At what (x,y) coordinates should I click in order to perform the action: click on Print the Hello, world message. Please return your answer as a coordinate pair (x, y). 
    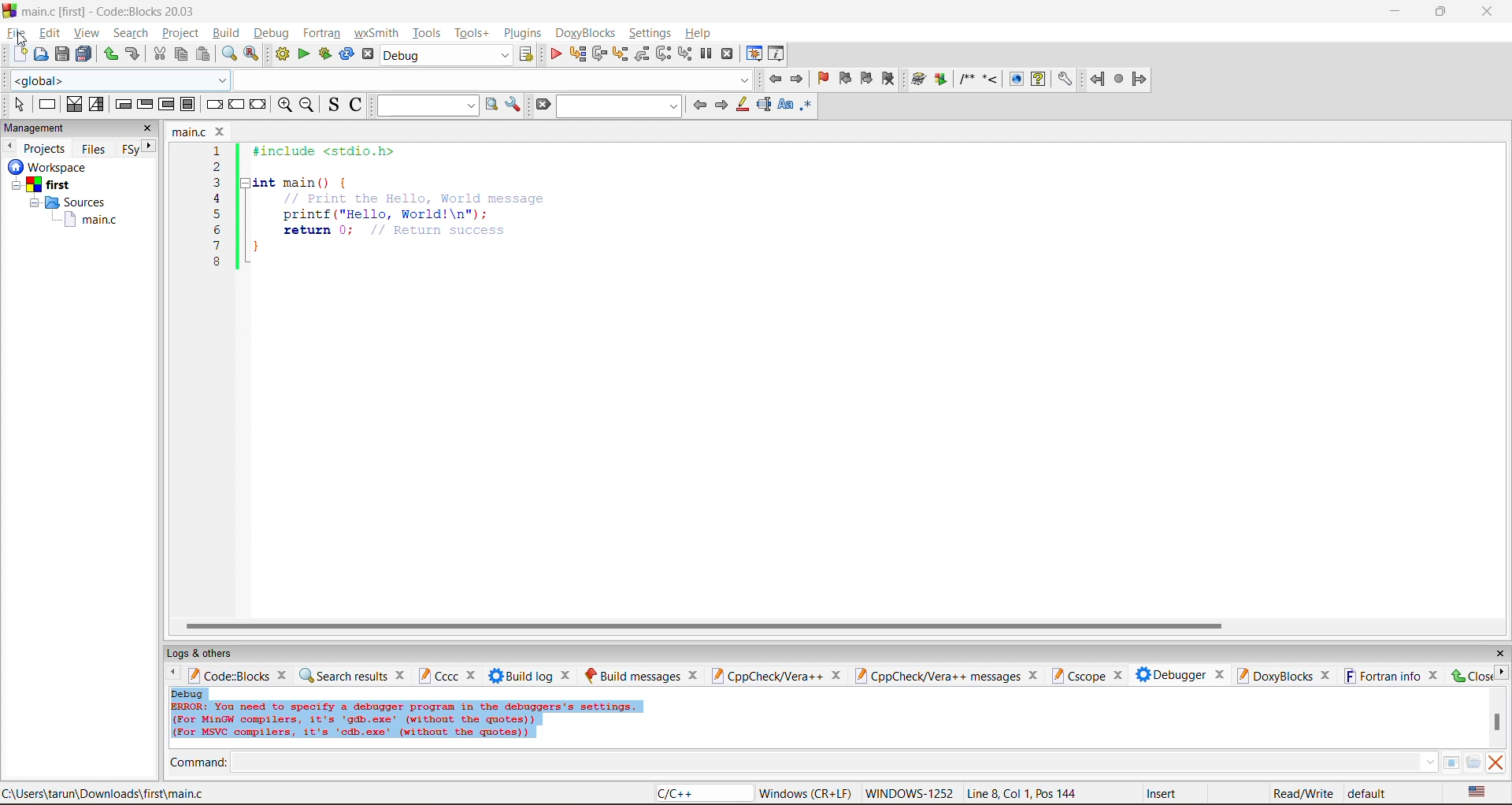
    Looking at the image, I should click on (416, 198).